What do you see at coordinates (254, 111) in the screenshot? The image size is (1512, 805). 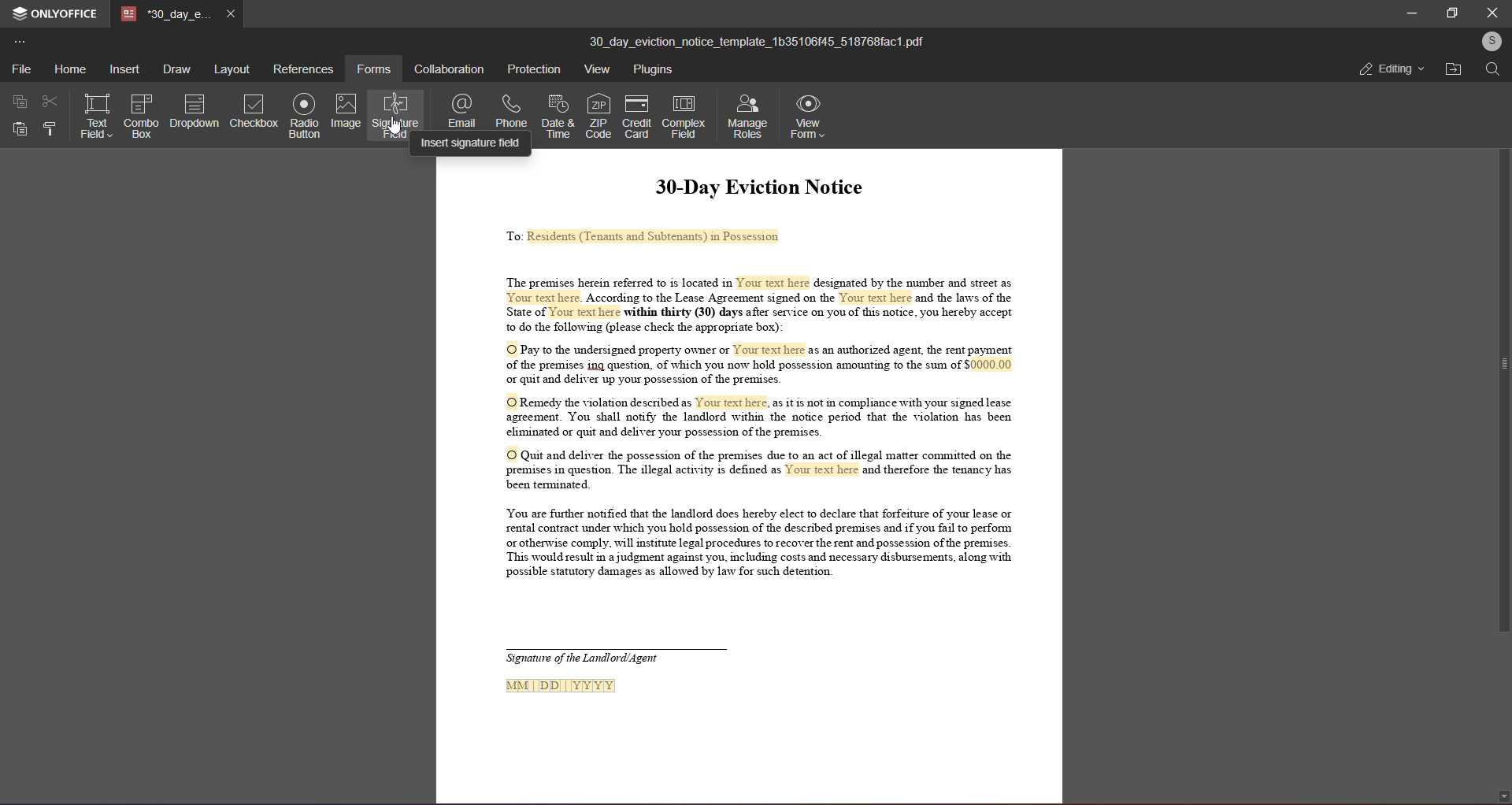 I see `checkbox` at bounding box center [254, 111].